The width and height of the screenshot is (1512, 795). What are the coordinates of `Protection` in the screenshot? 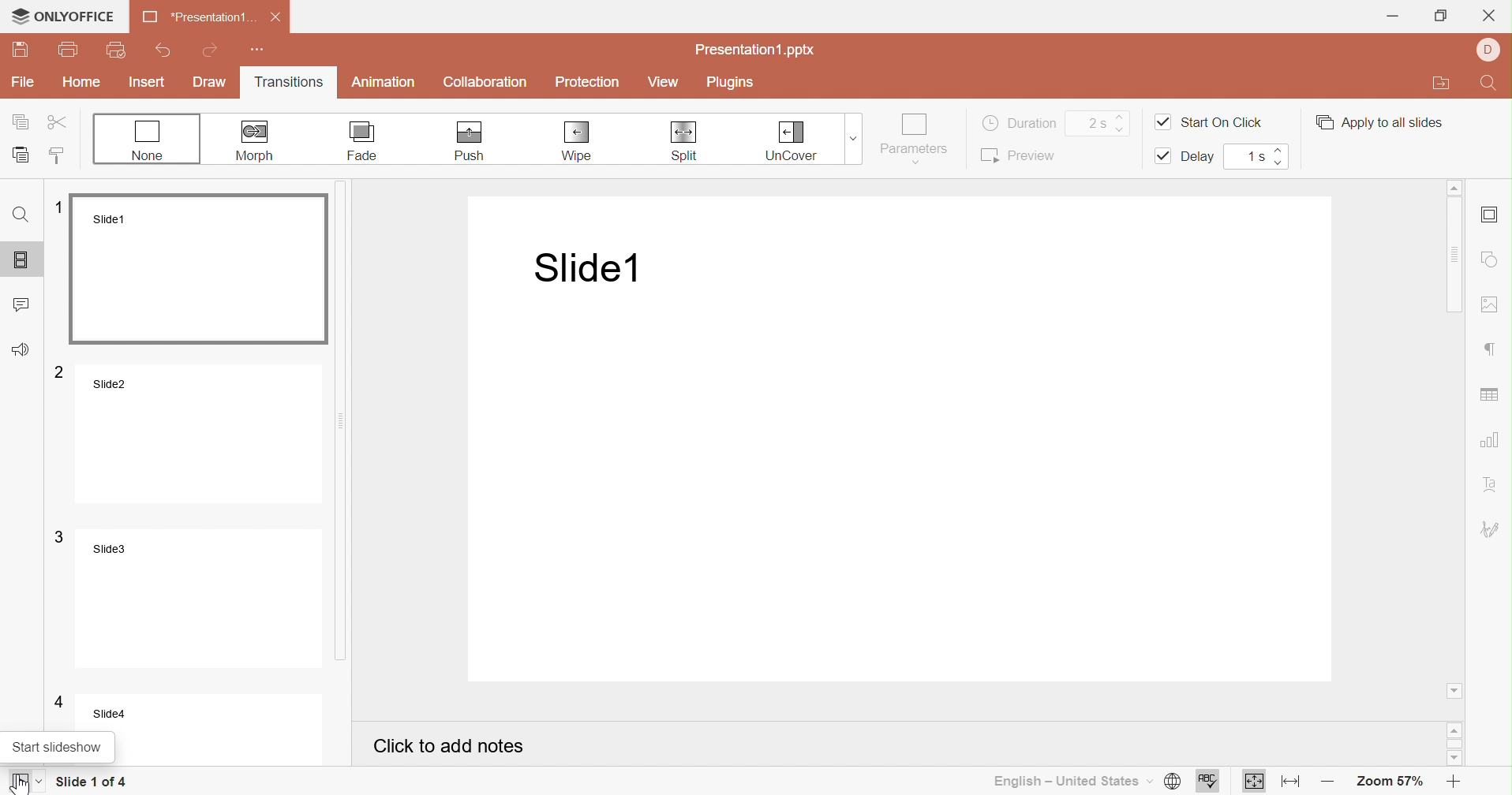 It's located at (588, 84).